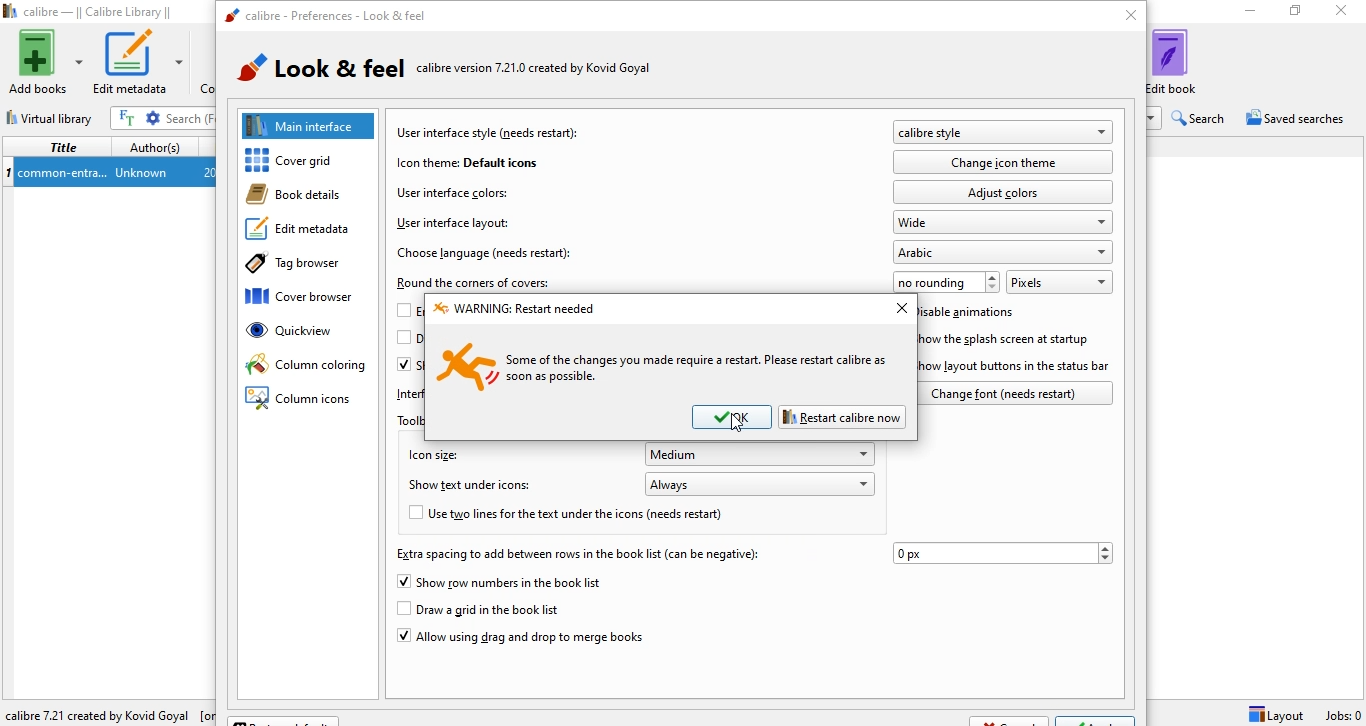 The height and width of the screenshot is (726, 1366). I want to click on Add books, so click(44, 62).